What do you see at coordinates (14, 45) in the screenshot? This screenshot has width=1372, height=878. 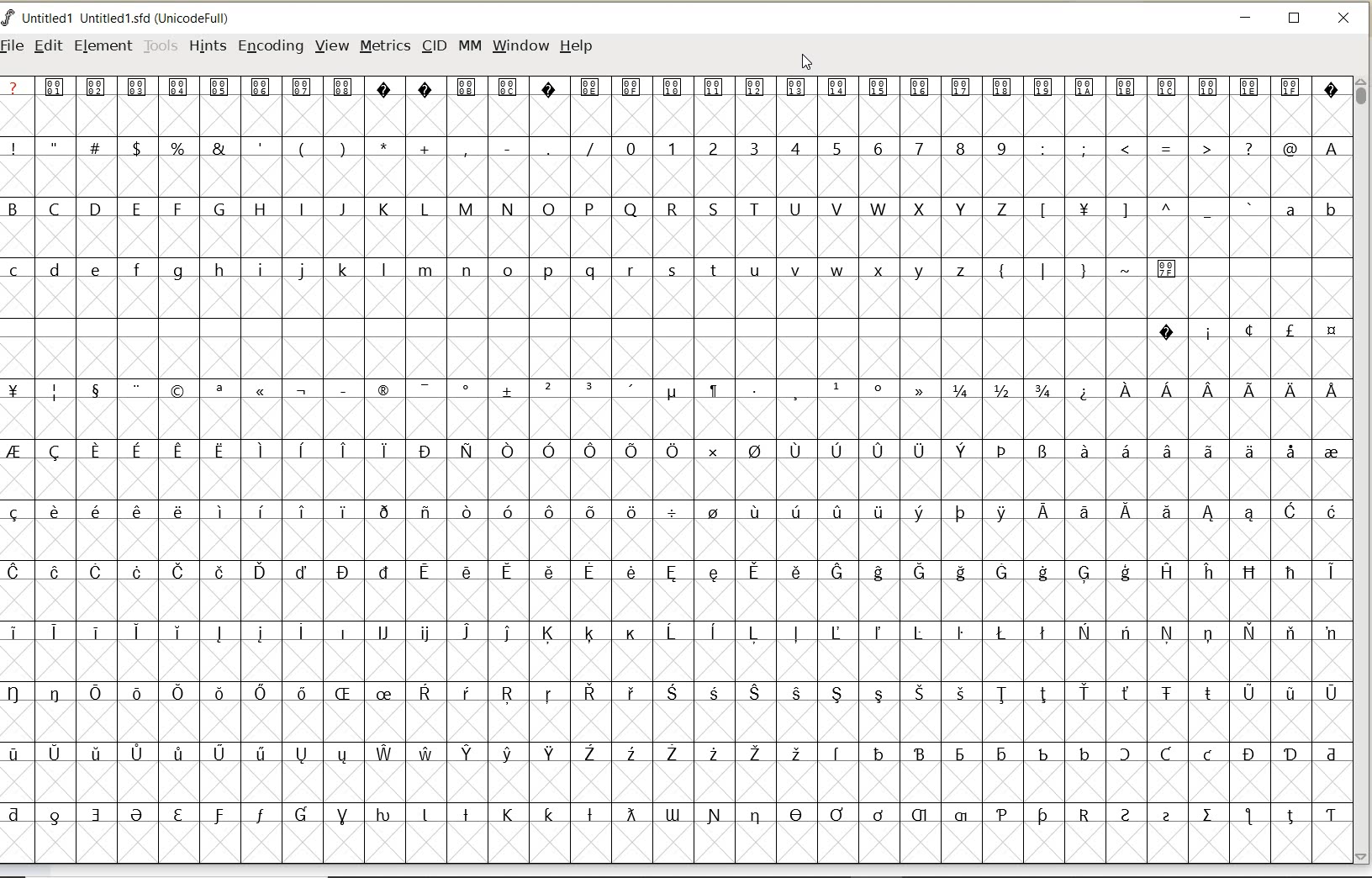 I see `FILE` at bounding box center [14, 45].